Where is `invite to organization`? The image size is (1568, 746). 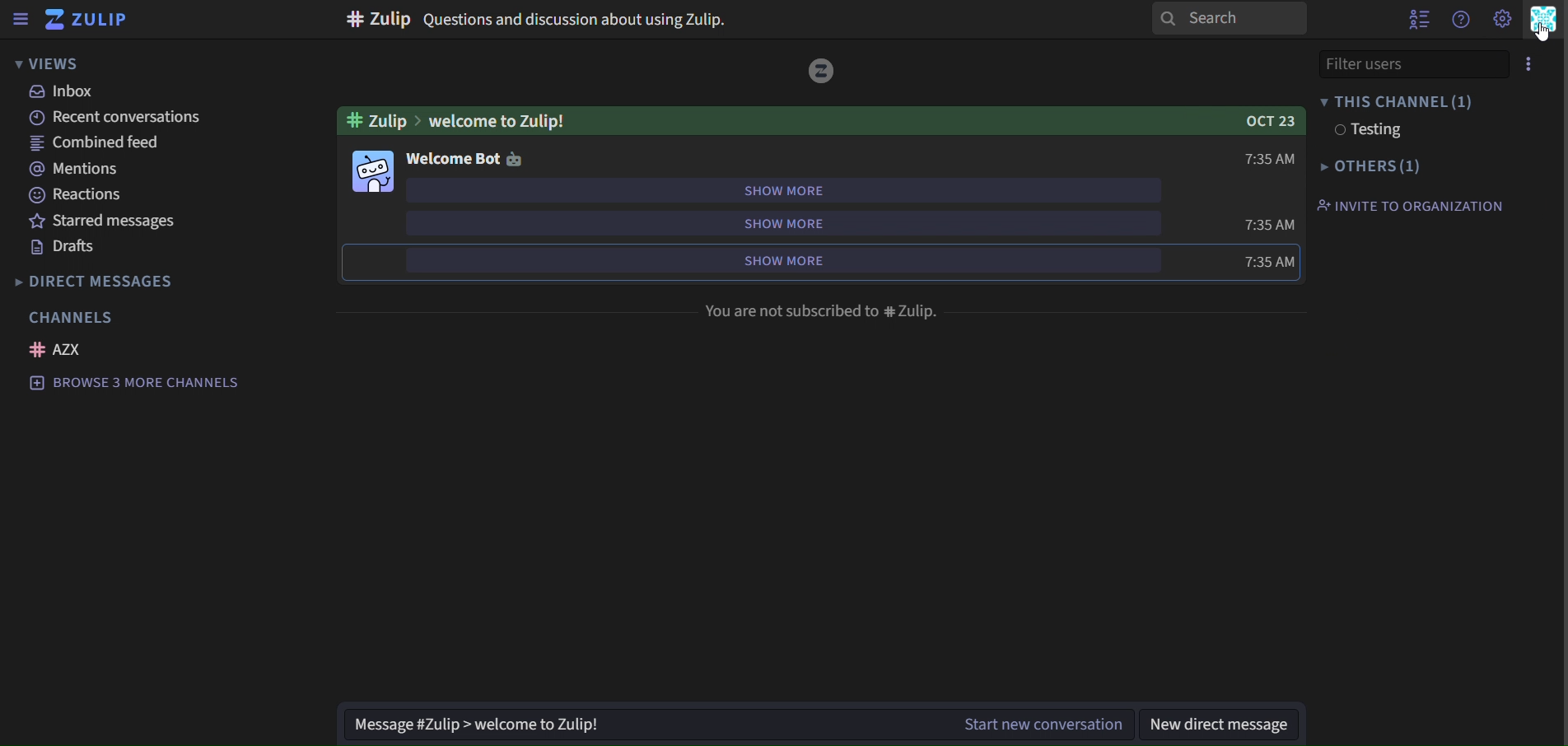
invite to organization is located at coordinates (1409, 205).